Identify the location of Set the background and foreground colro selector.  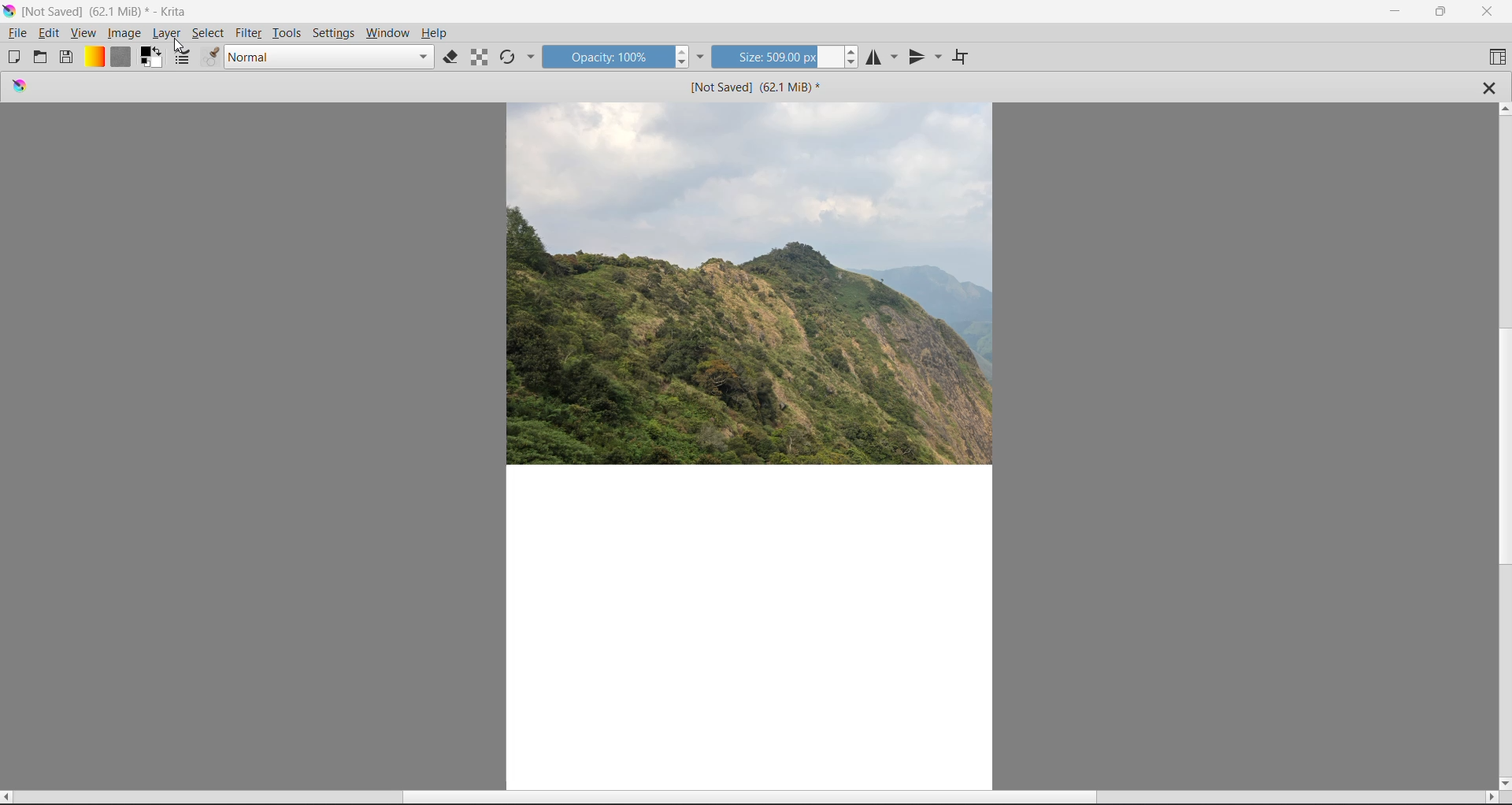
(150, 57).